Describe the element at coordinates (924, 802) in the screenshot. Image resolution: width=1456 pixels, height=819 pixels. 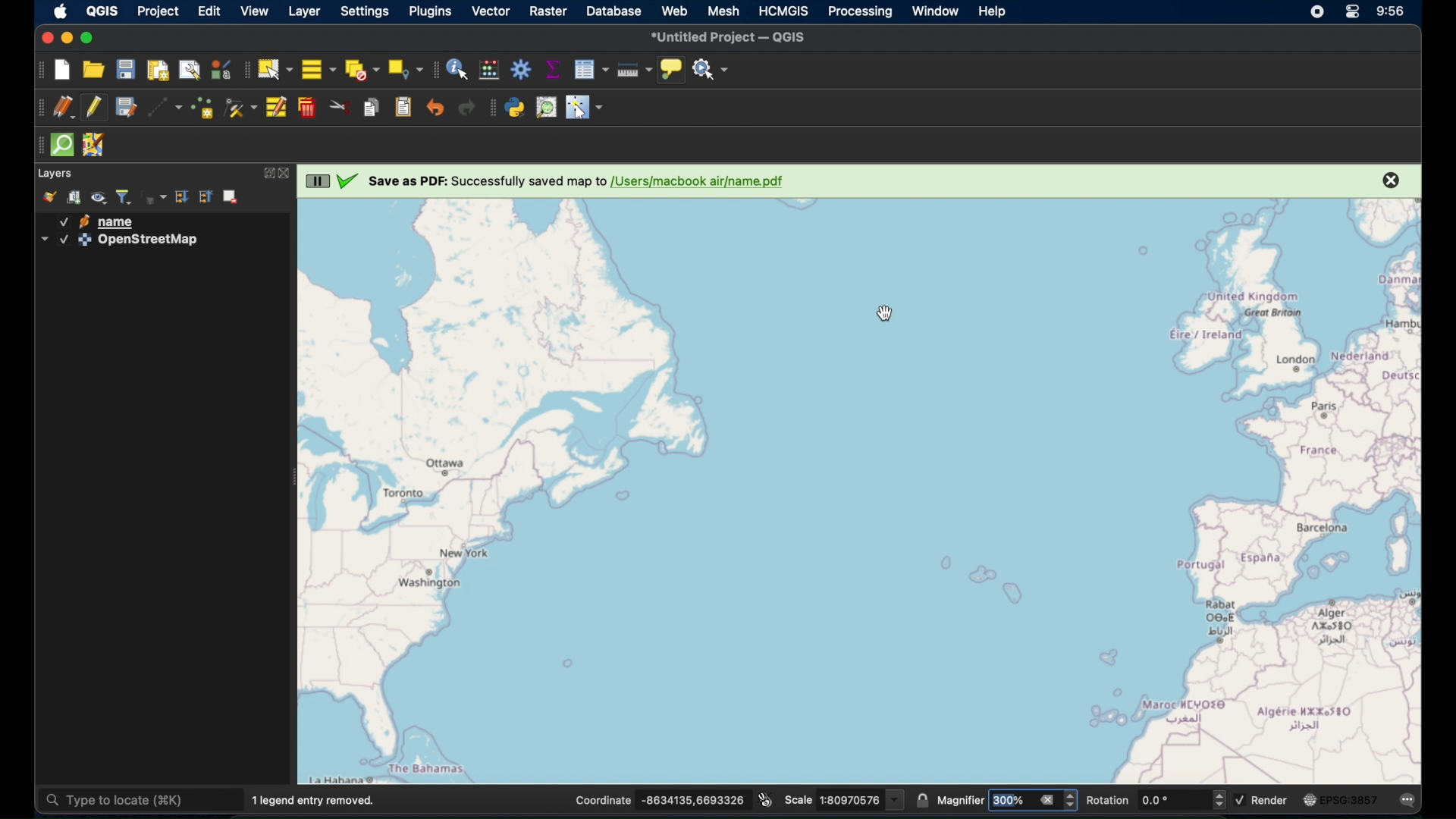
I see `lock scale` at that location.